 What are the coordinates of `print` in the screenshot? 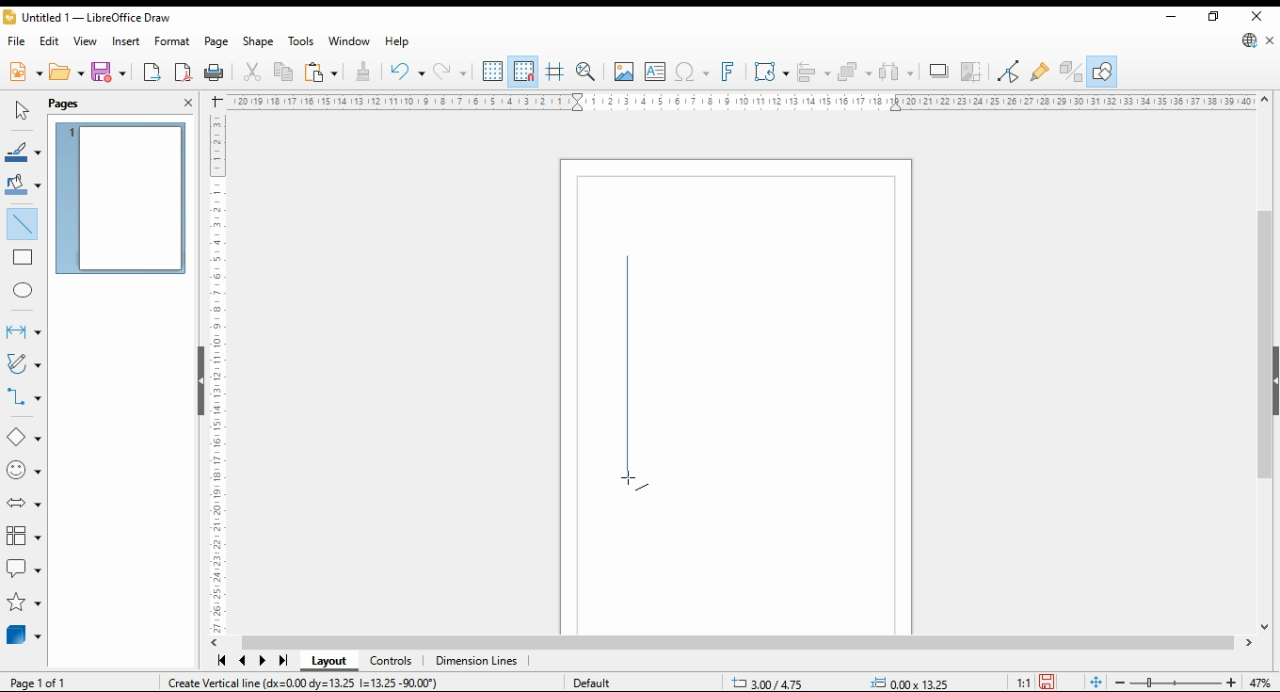 It's located at (215, 71).